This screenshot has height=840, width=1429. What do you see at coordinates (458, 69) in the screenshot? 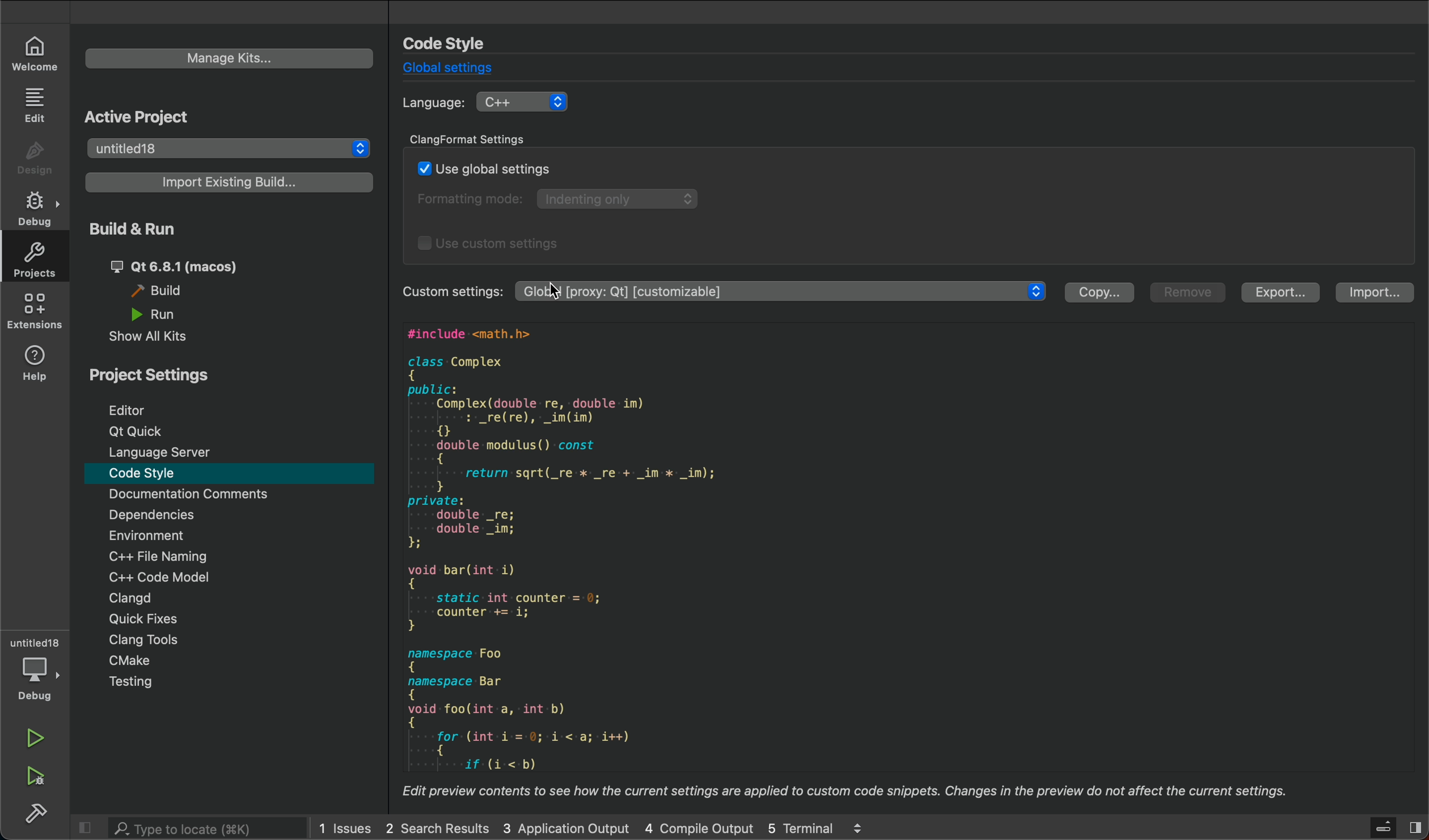
I see `global settings` at bounding box center [458, 69].